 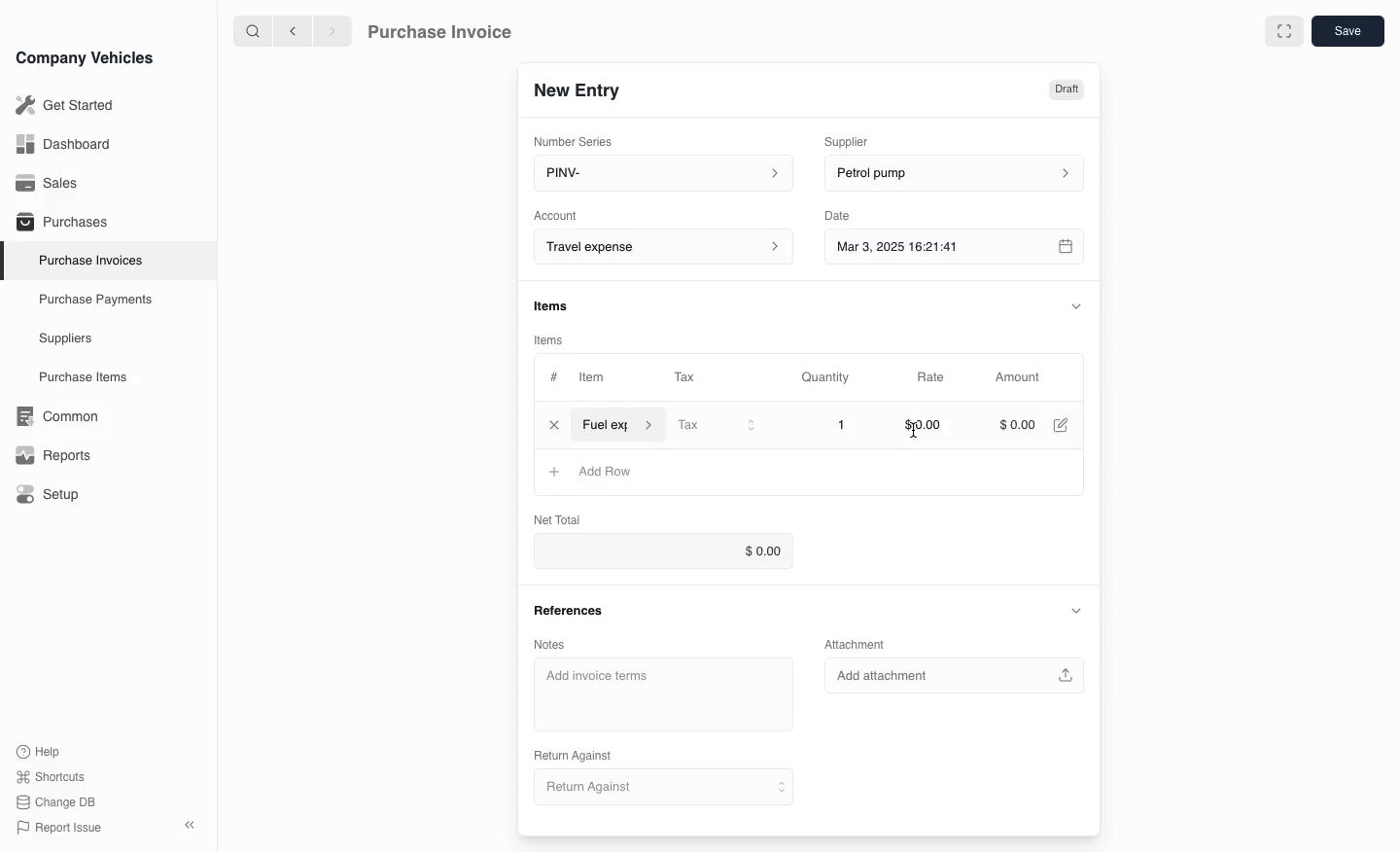 I want to click on Purchase items, so click(x=76, y=377).